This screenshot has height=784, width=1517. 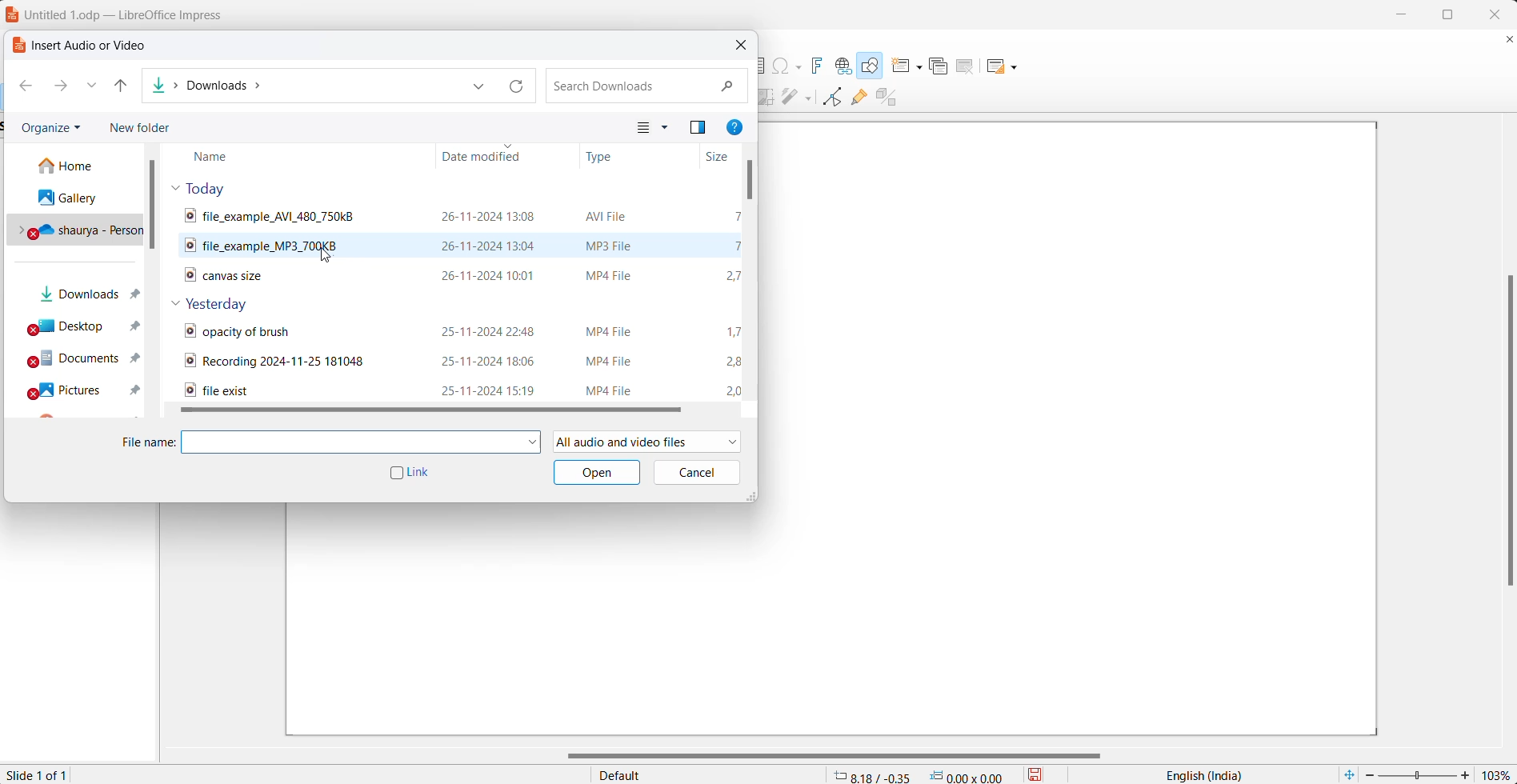 I want to click on horizontal scroll  bar, so click(x=836, y=756).